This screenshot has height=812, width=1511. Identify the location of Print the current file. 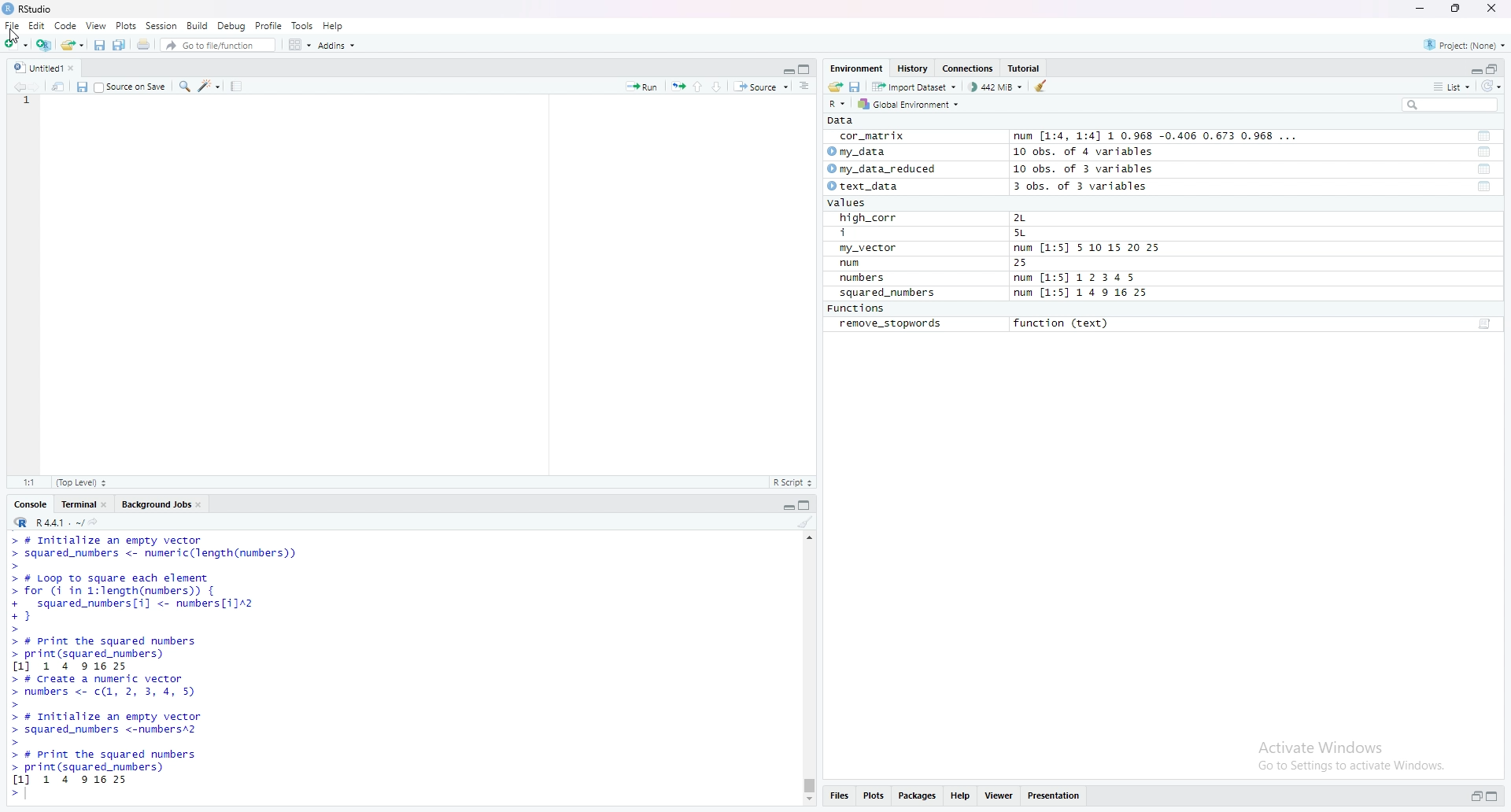
(143, 43).